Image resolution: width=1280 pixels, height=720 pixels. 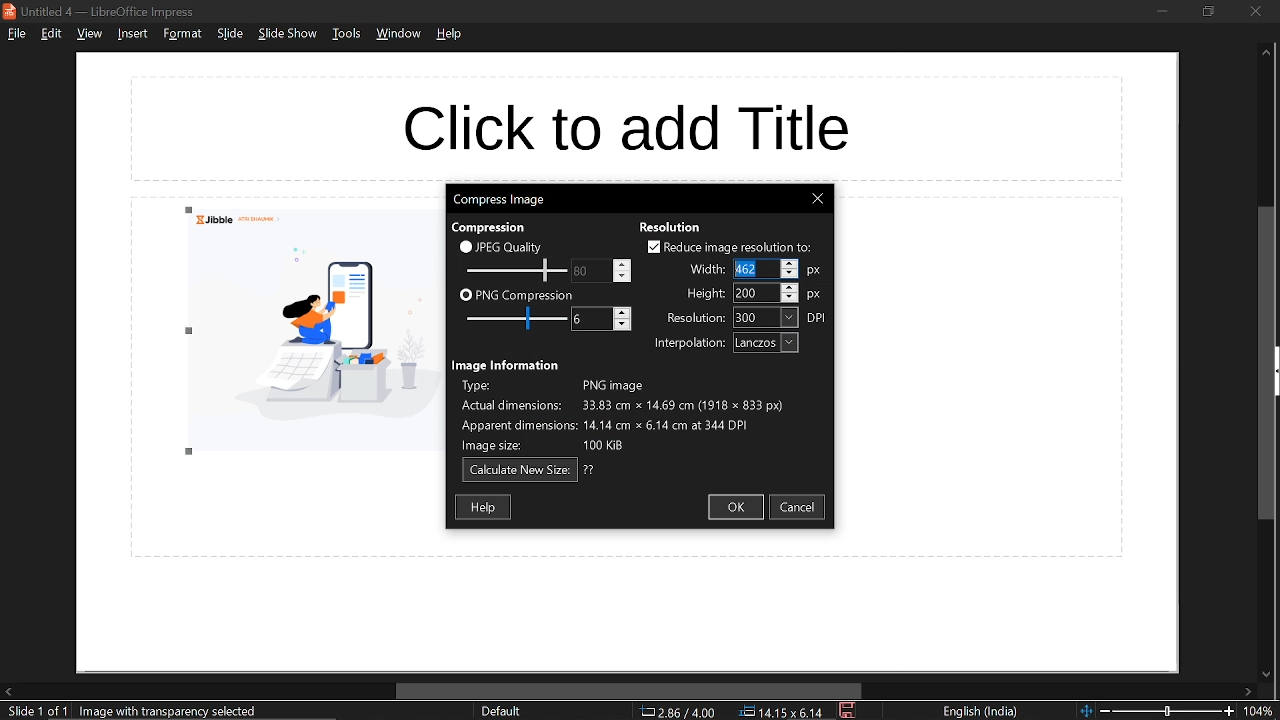 I want to click on decrease png compression, so click(x=622, y=326).